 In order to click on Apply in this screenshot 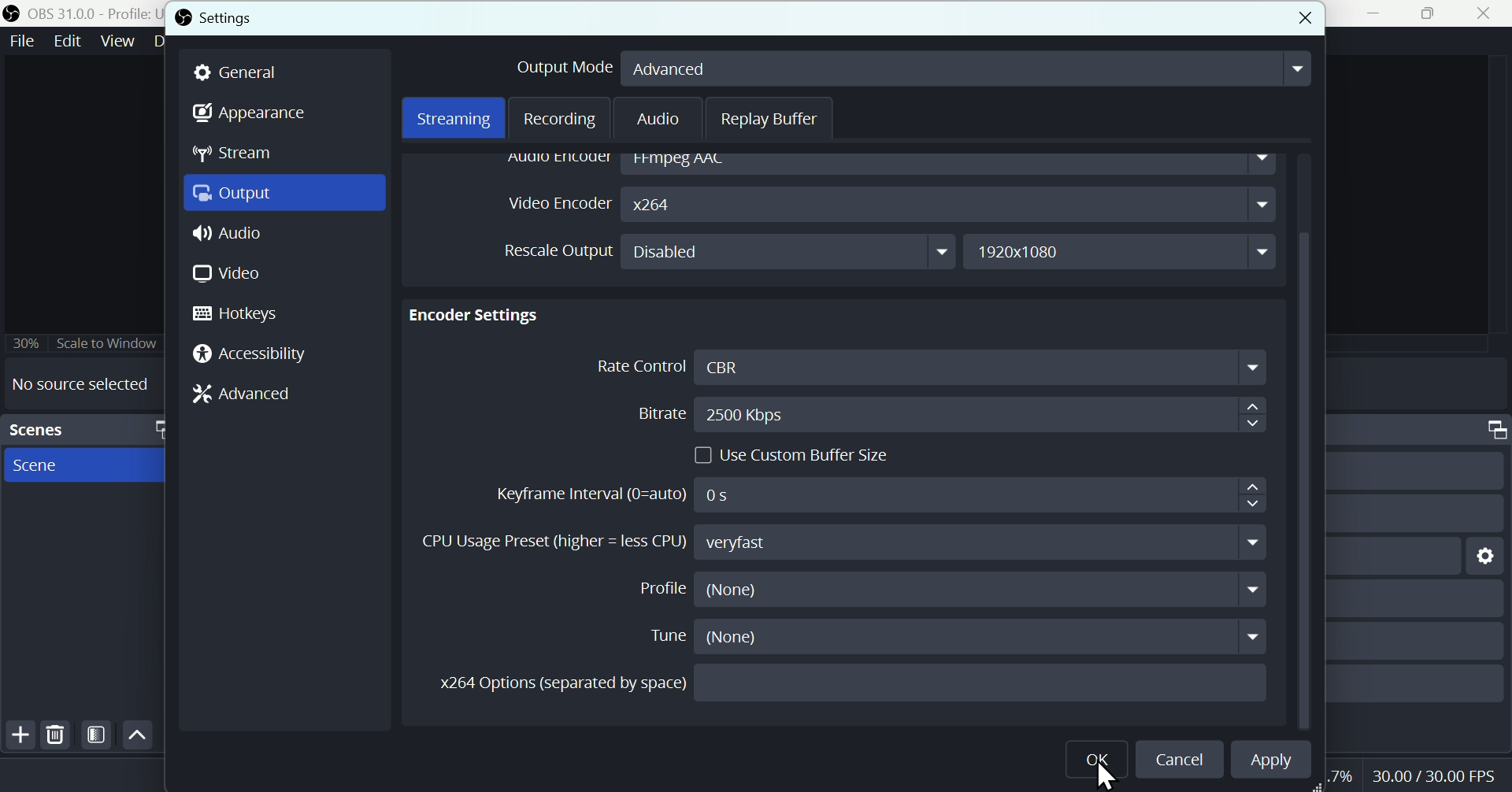, I will do `click(1269, 761)`.